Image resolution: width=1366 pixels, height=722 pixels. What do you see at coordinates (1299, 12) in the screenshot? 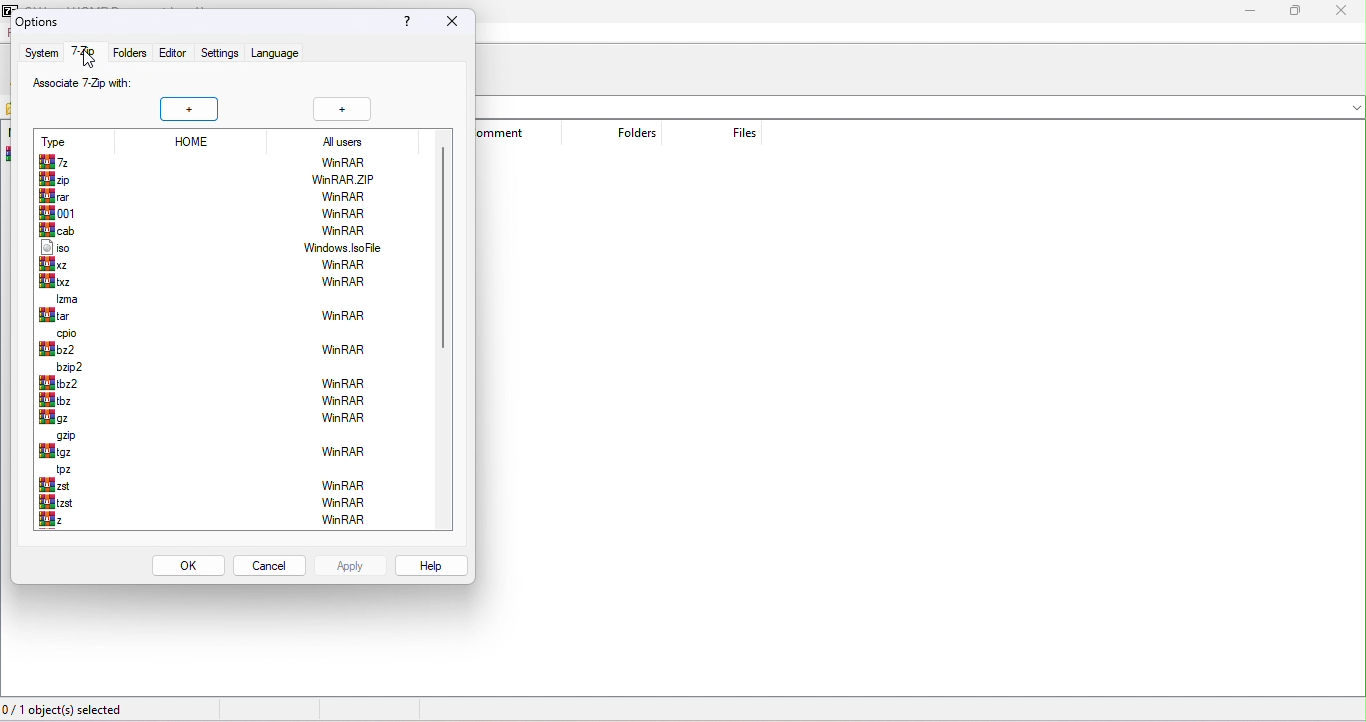
I see `maximize` at bounding box center [1299, 12].